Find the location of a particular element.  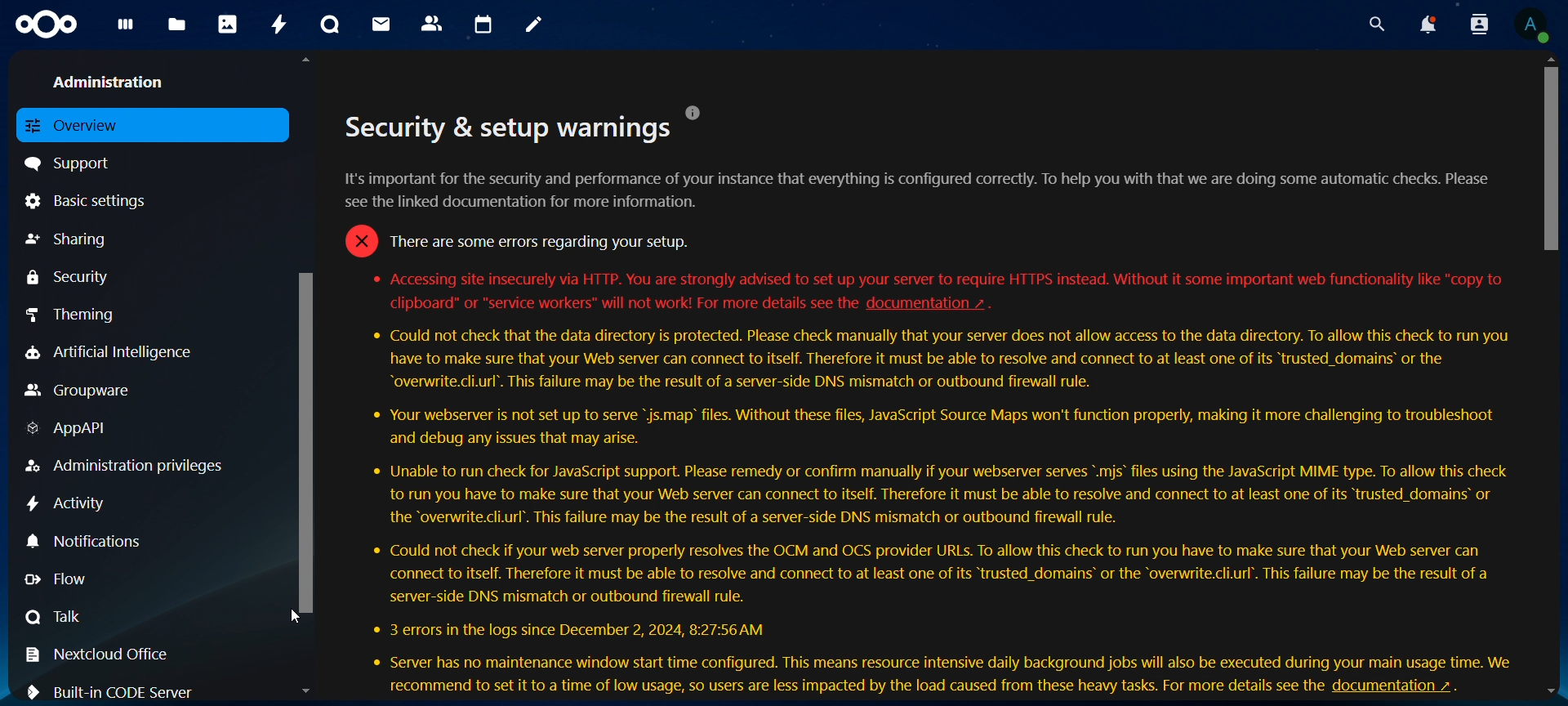

search contacts is located at coordinates (1483, 25).